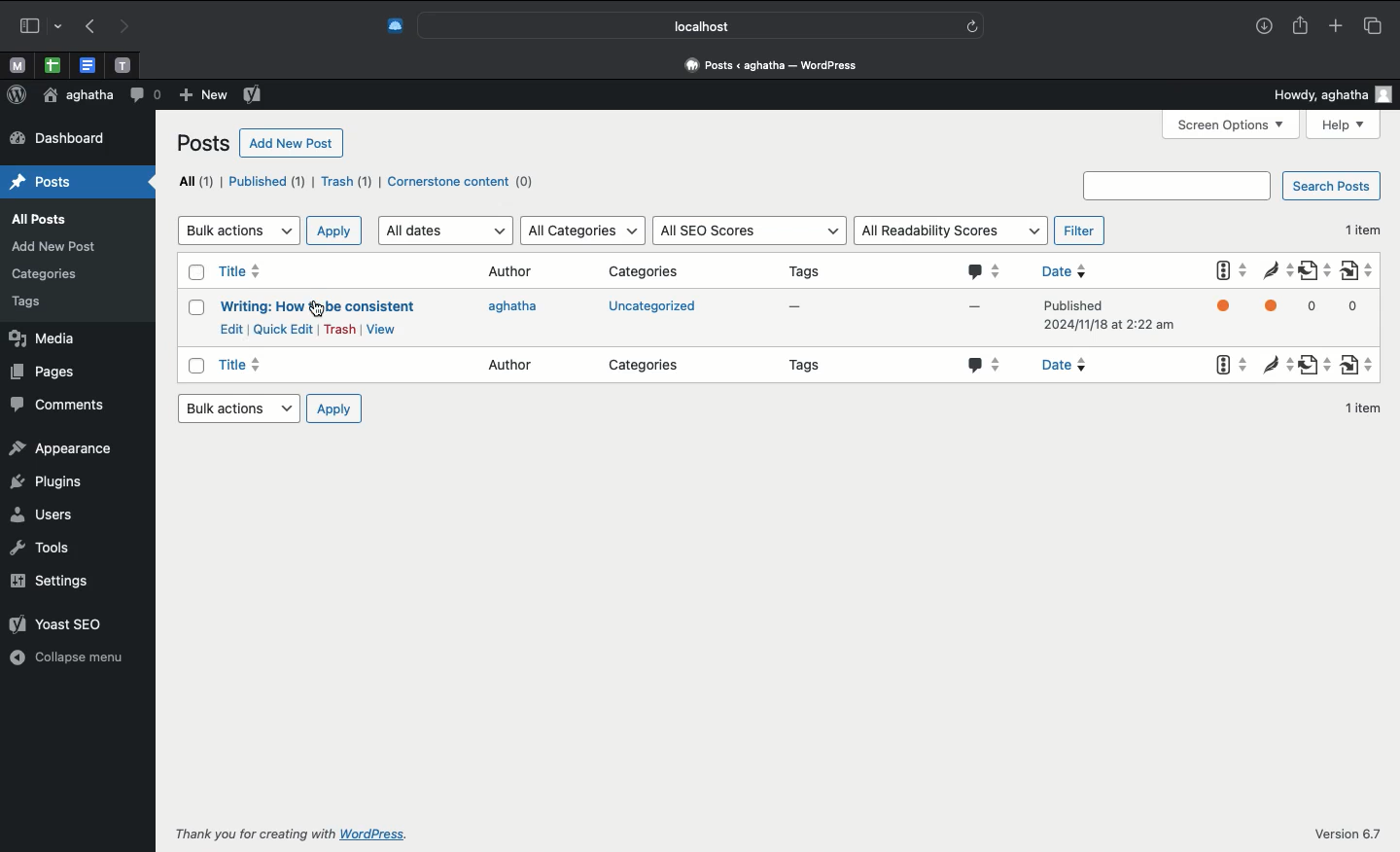  Describe the element at coordinates (1108, 320) in the screenshot. I see `Date published` at that location.